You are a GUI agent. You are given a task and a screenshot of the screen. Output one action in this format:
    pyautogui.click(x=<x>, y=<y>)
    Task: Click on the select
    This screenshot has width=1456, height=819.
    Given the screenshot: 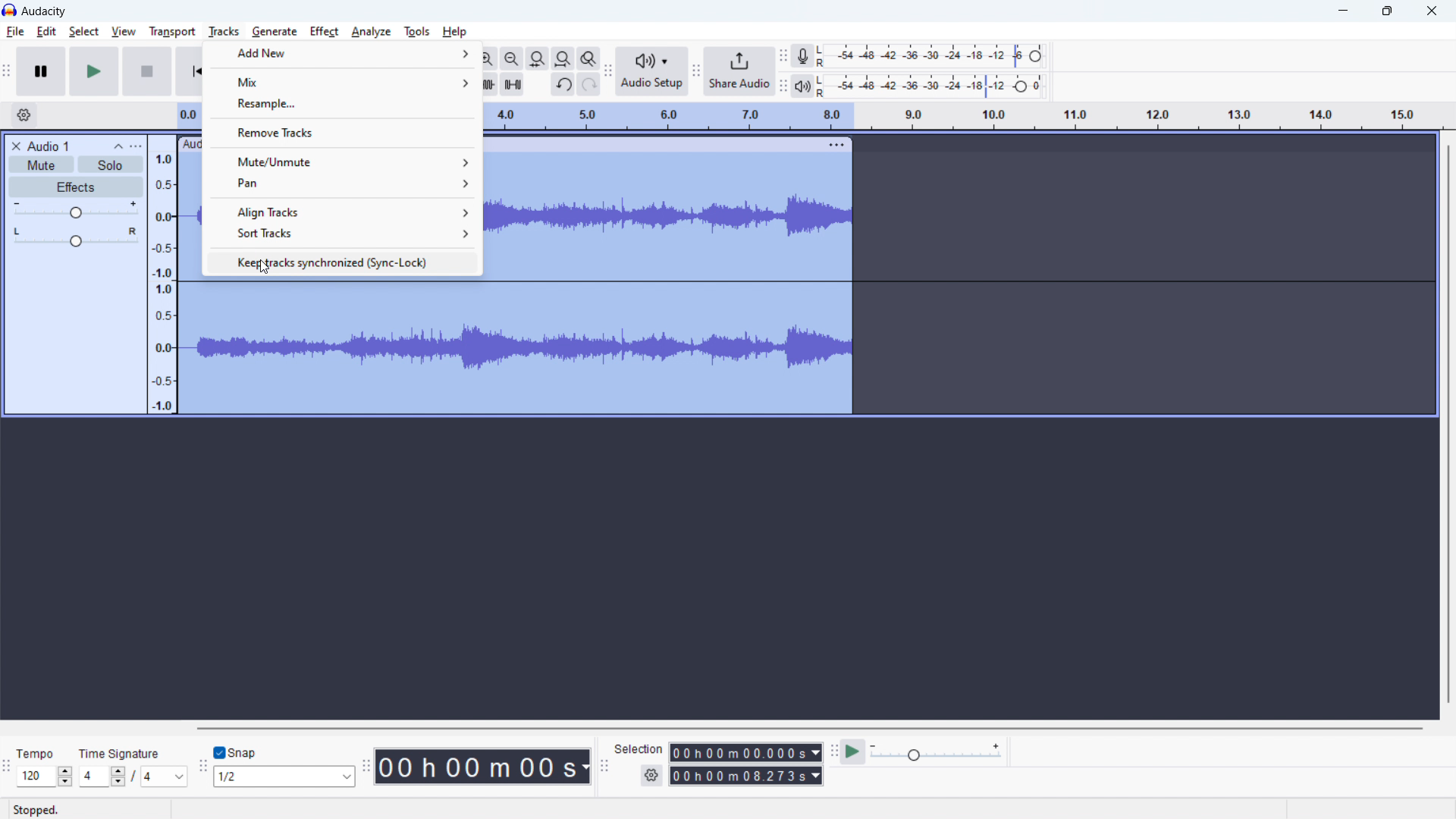 What is the action you would take?
    pyautogui.click(x=83, y=32)
    